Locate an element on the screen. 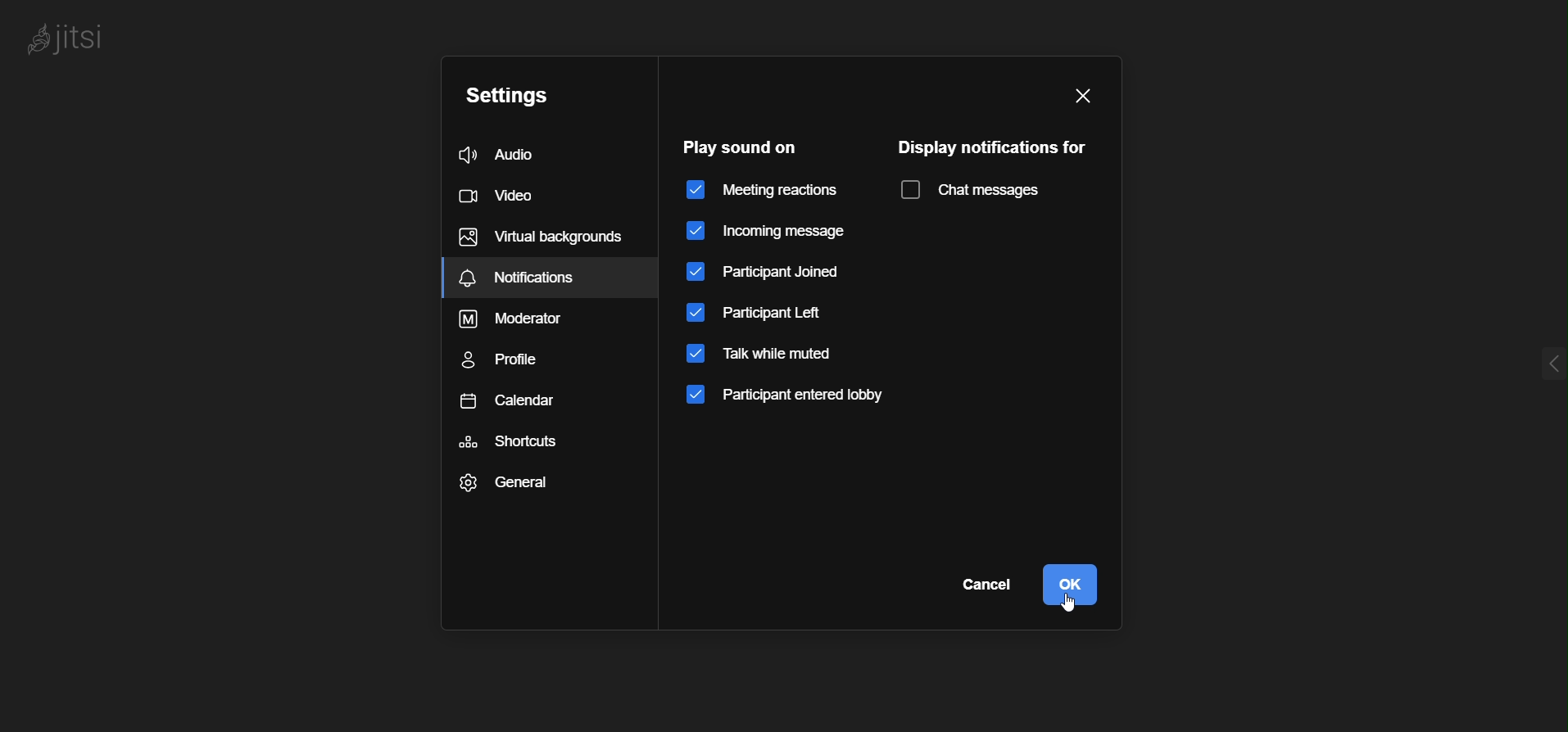 This screenshot has width=1568, height=732. participant left is located at coordinates (759, 312).